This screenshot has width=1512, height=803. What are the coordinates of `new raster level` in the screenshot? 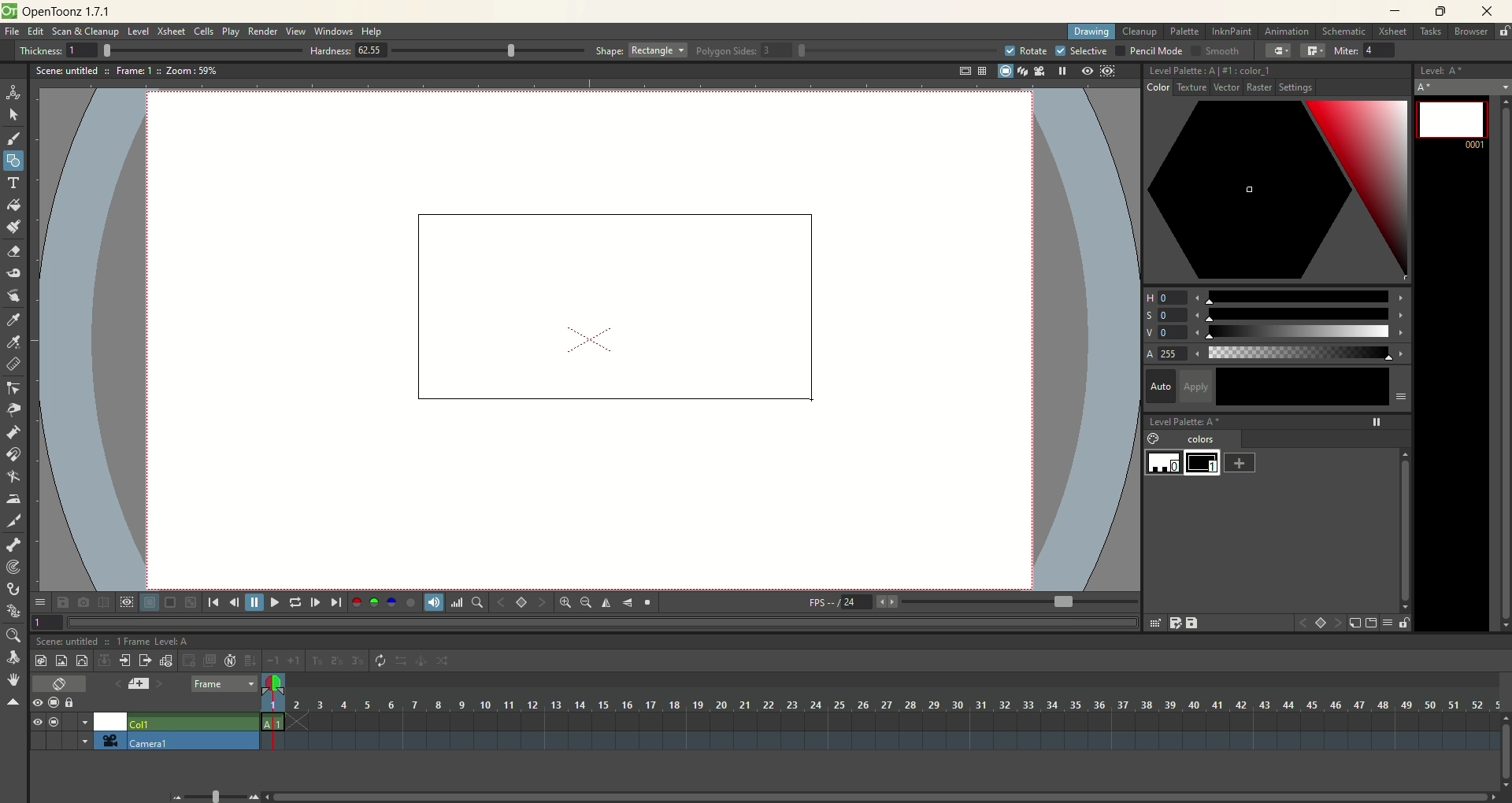 It's located at (61, 660).